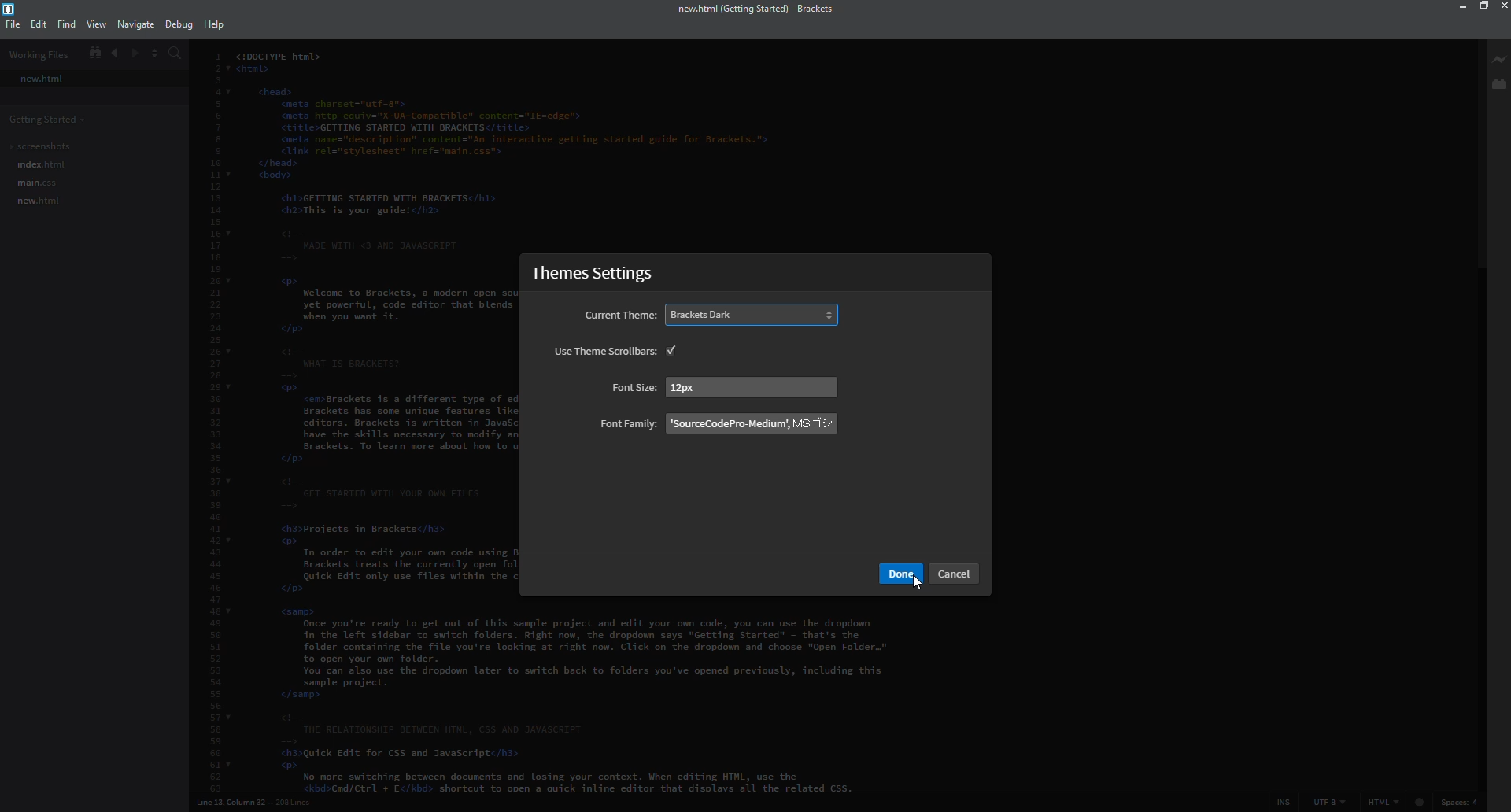 The width and height of the screenshot is (1511, 812). What do you see at coordinates (38, 24) in the screenshot?
I see `edit` at bounding box center [38, 24].